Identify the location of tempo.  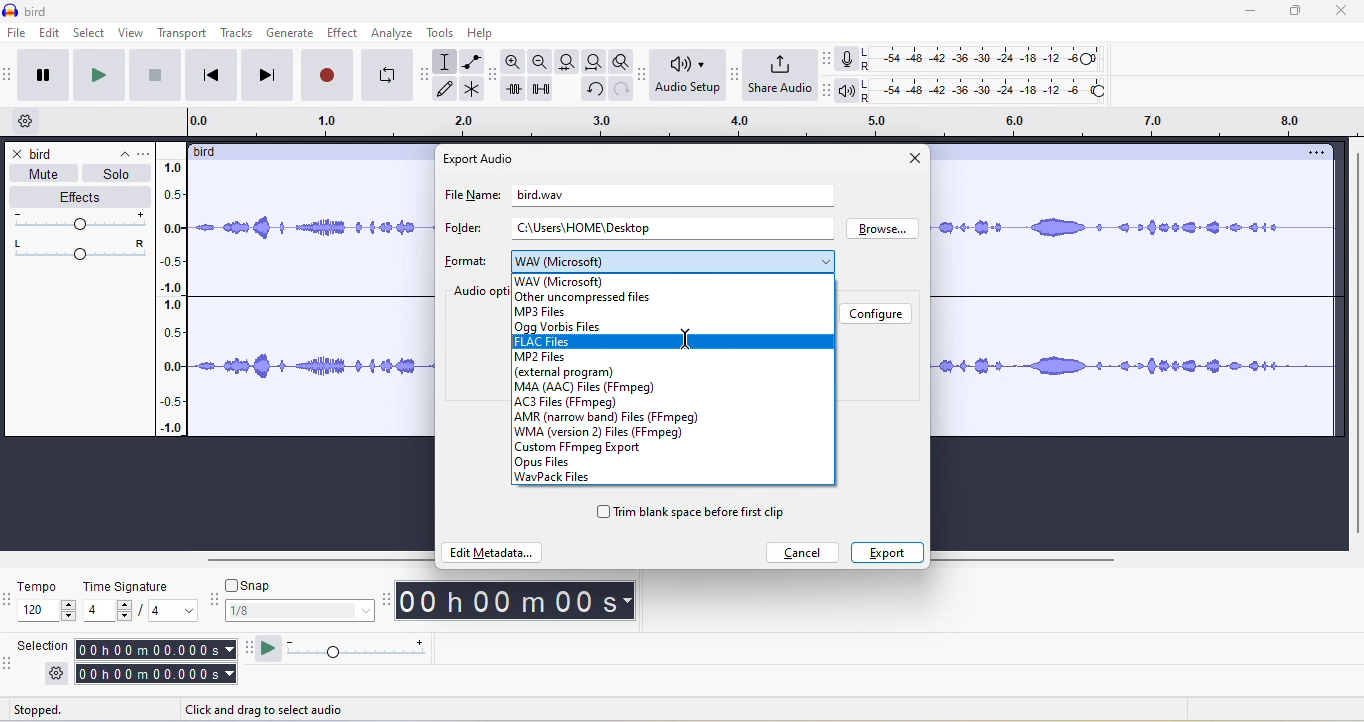
(47, 603).